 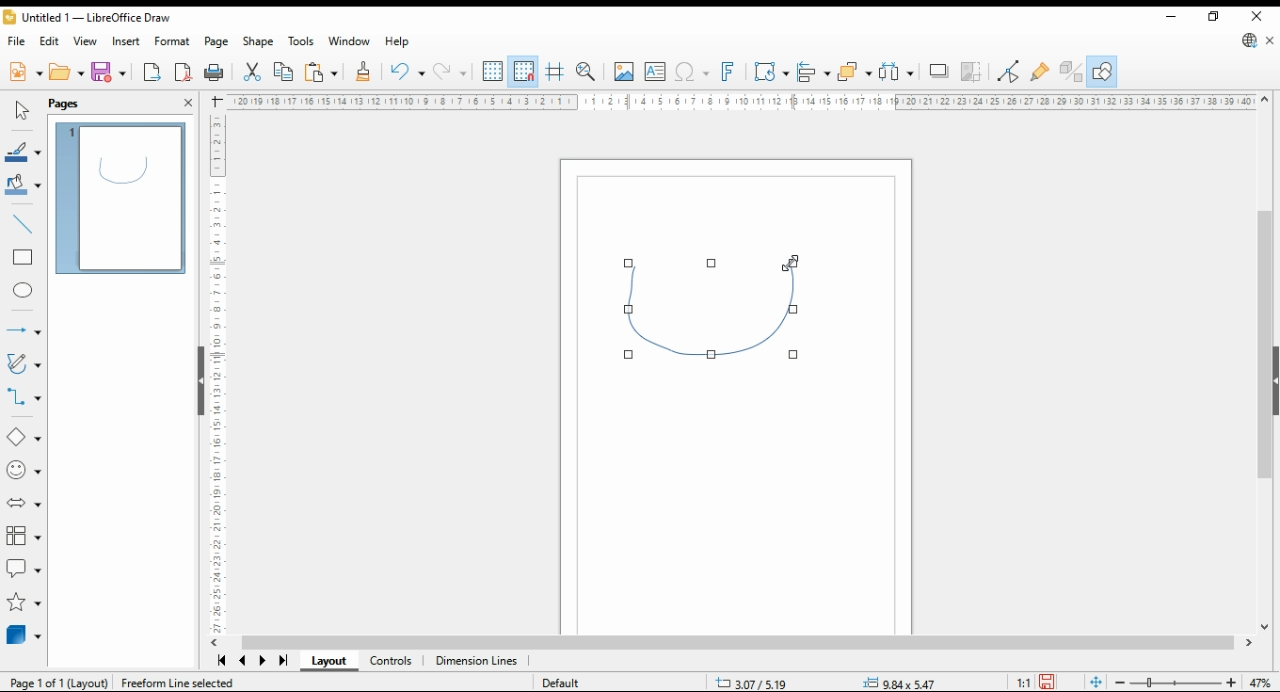 I want to click on Ruler, so click(x=740, y=101).